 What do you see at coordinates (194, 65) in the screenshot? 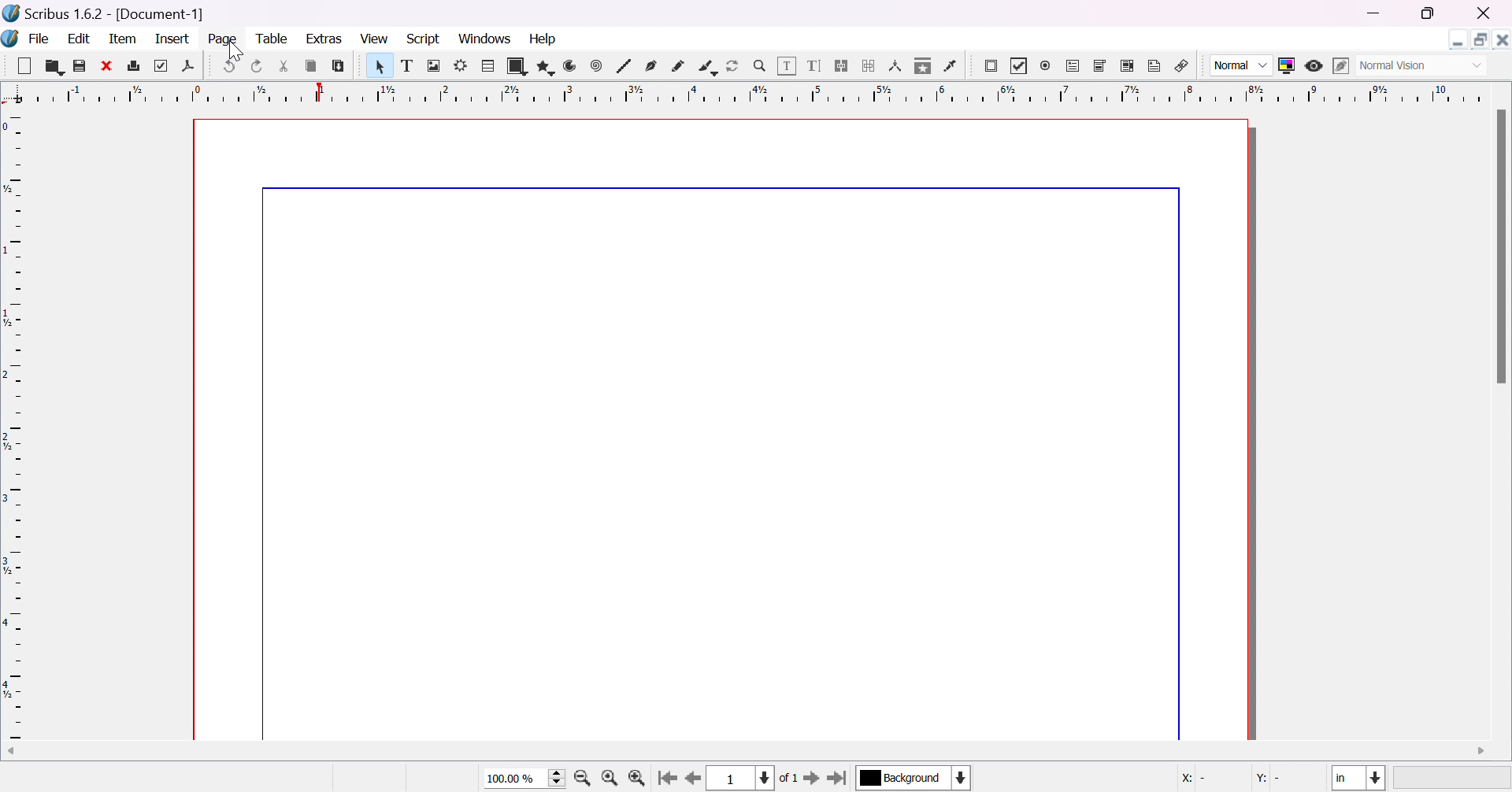
I see `save as pdf` at bounding box center [194, 65].